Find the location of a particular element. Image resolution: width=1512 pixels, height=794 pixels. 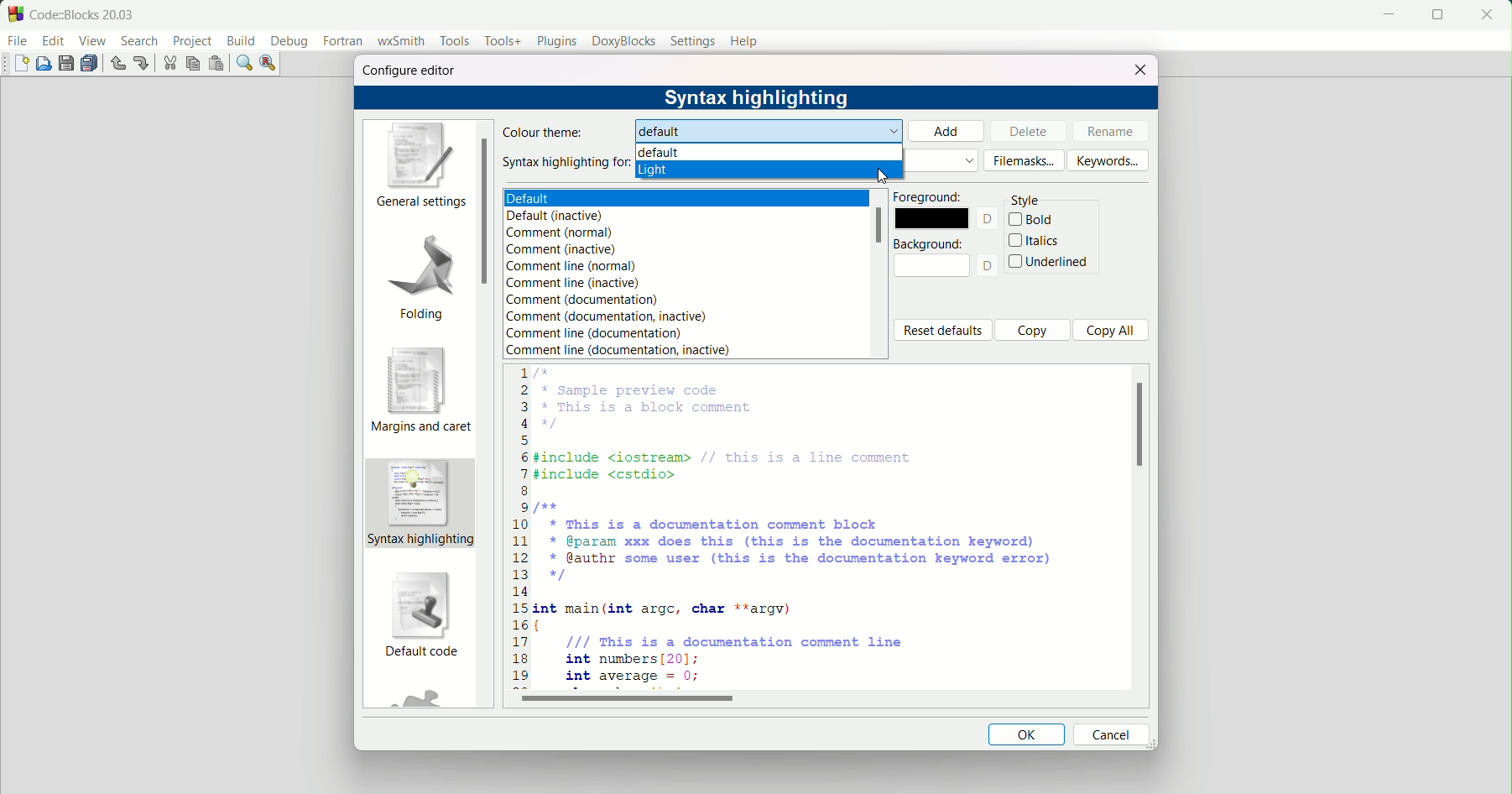

ok is located at coordinates (1026, 734).